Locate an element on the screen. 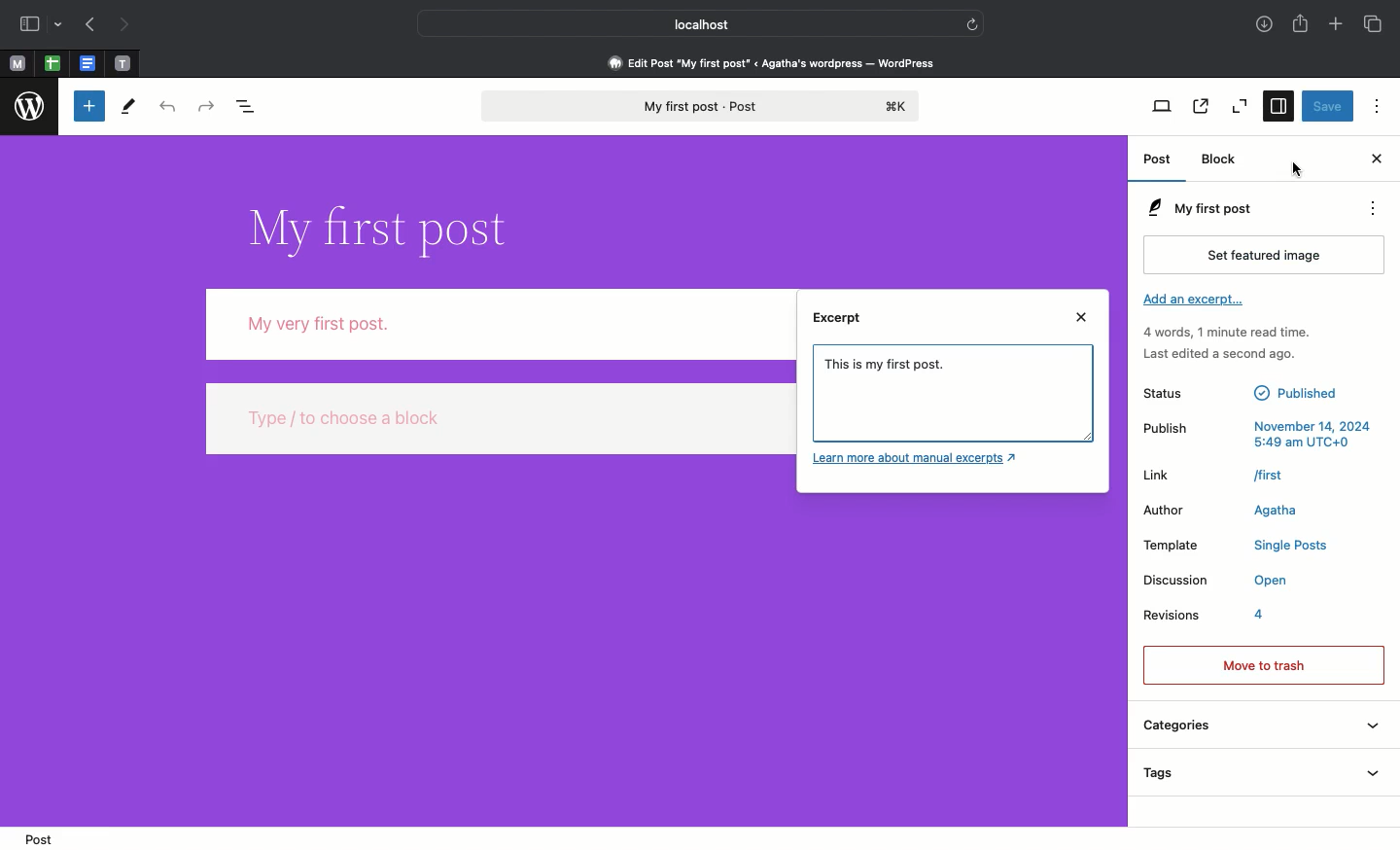  Learn more is located at coordinates (919, 460).